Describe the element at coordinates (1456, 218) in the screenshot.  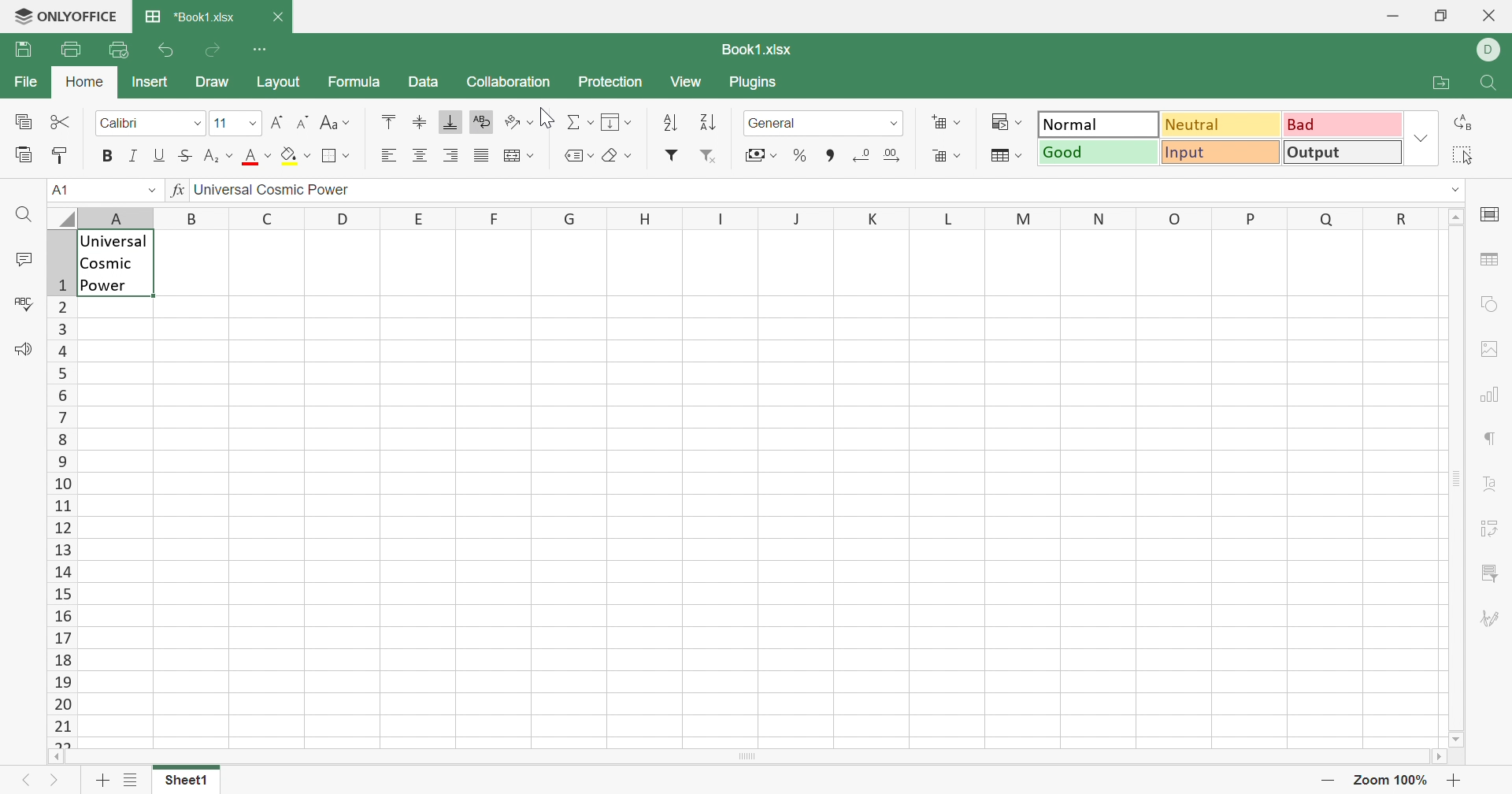
I see `Scroll Up` at that location.